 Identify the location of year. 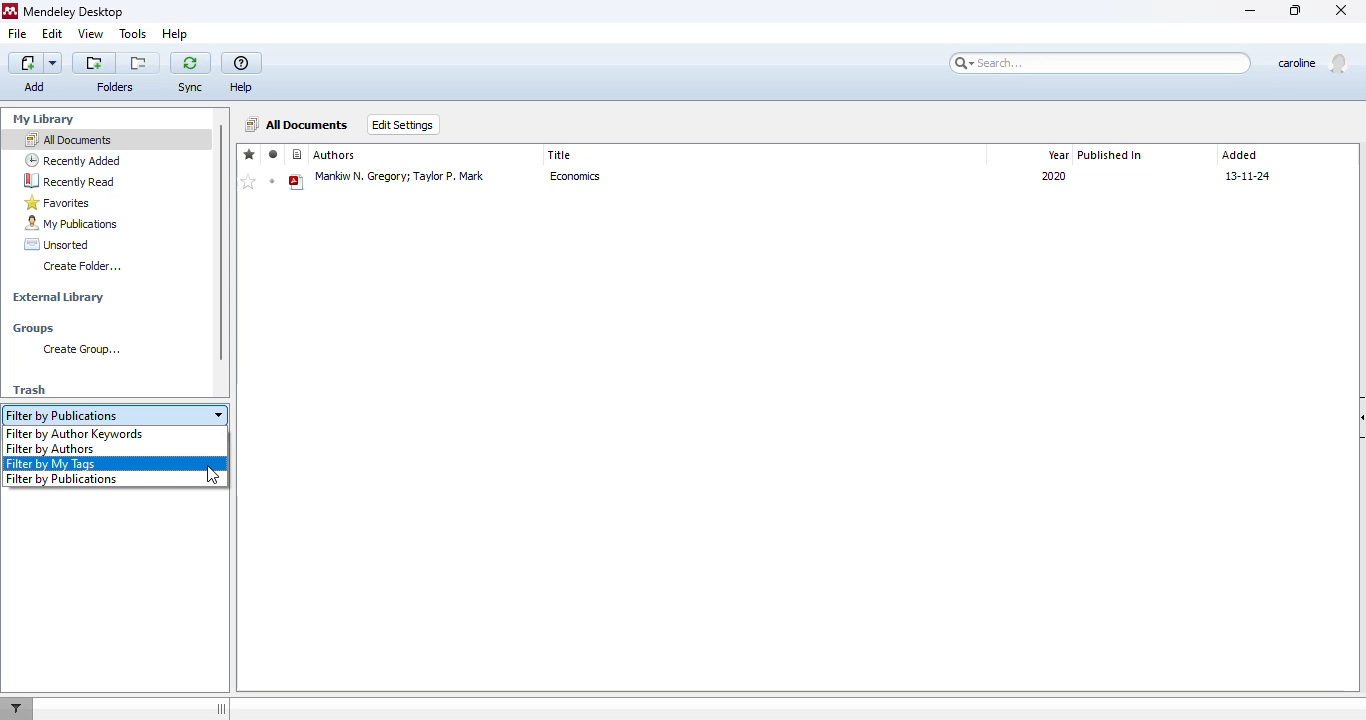
(1056, 154).